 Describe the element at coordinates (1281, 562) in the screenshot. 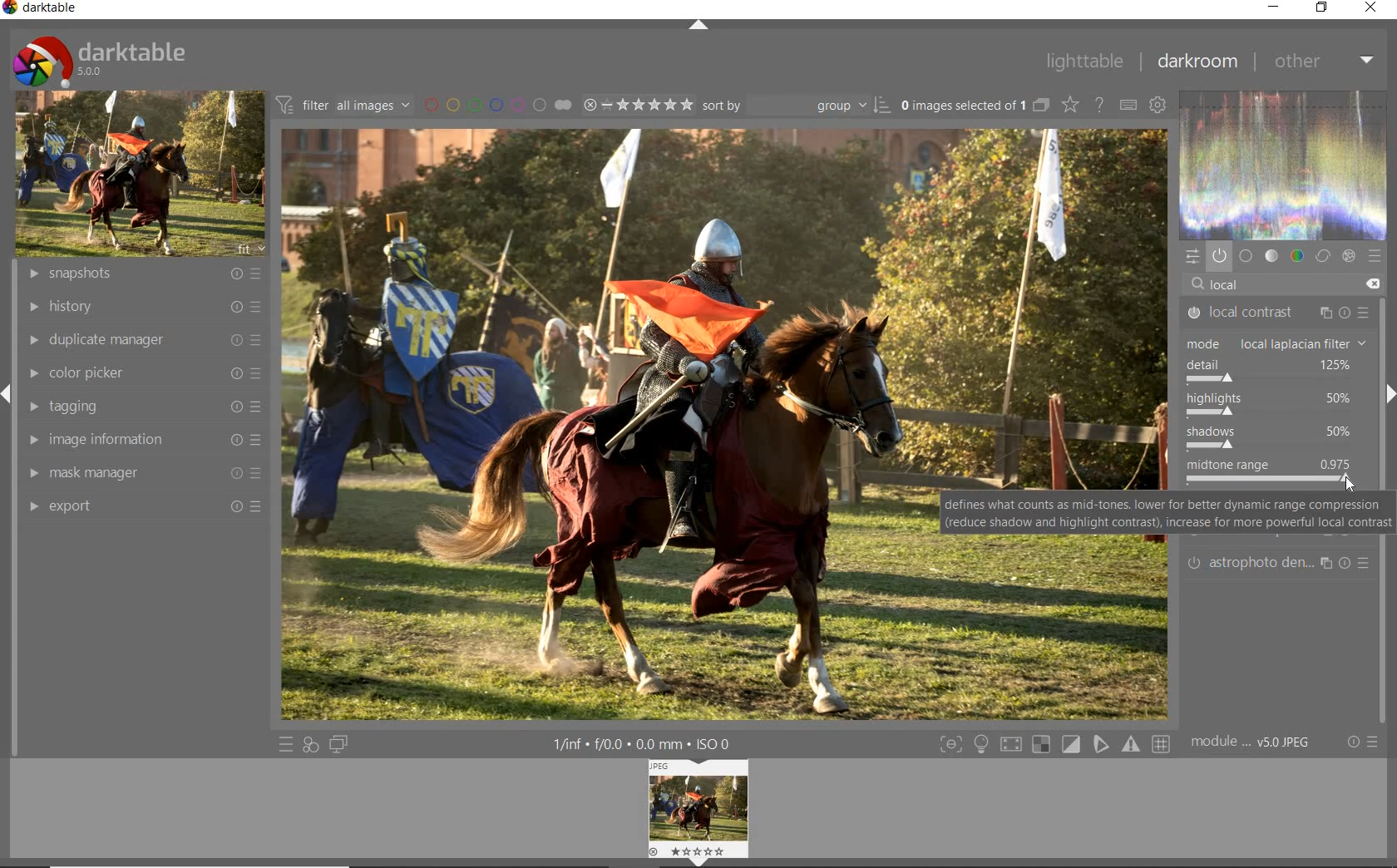

I see `ASTROPHOTE DENSITY` at that location.